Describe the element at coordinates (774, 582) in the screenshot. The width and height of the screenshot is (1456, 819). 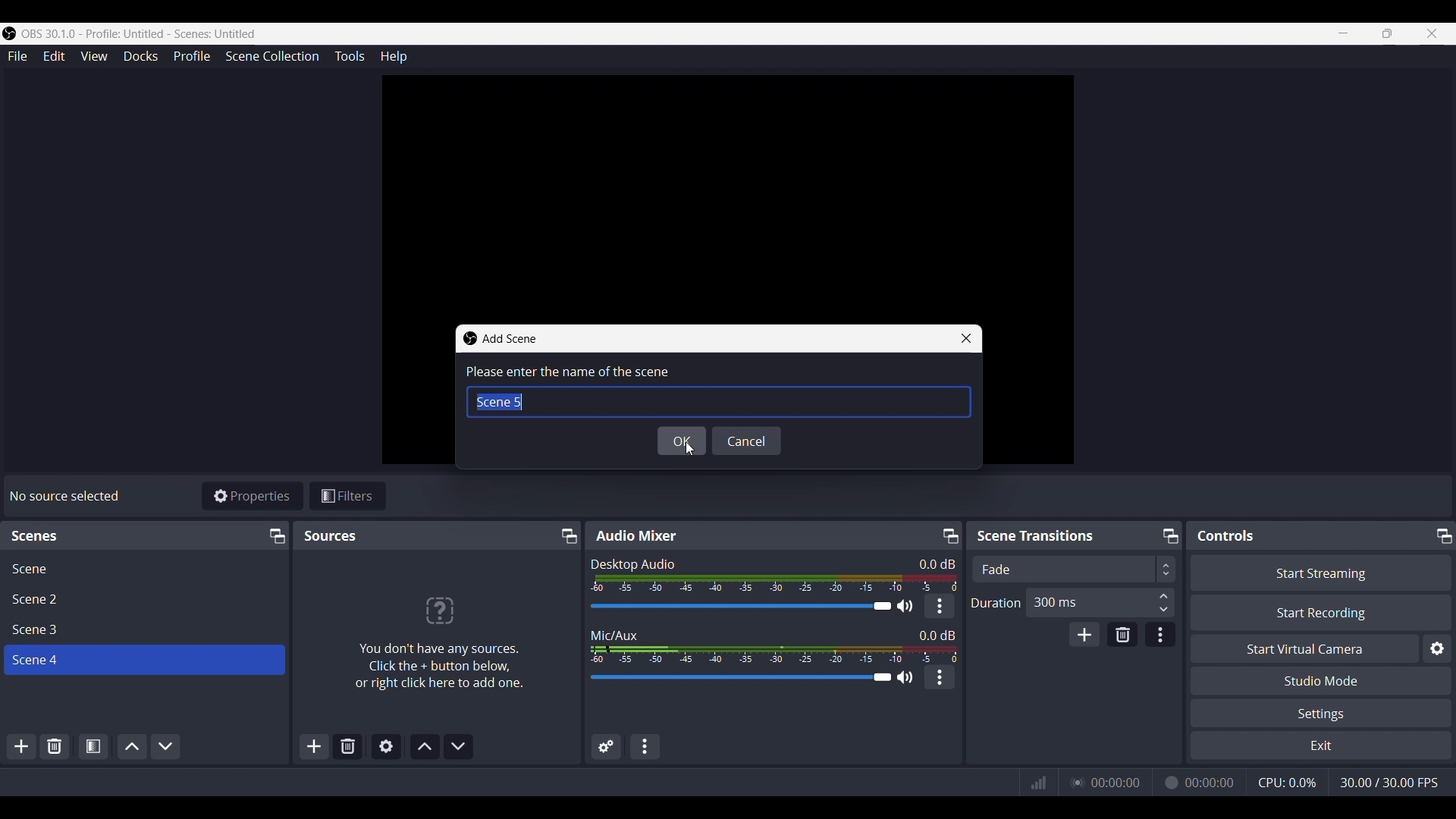
I see `Volume Indicator` at that location.